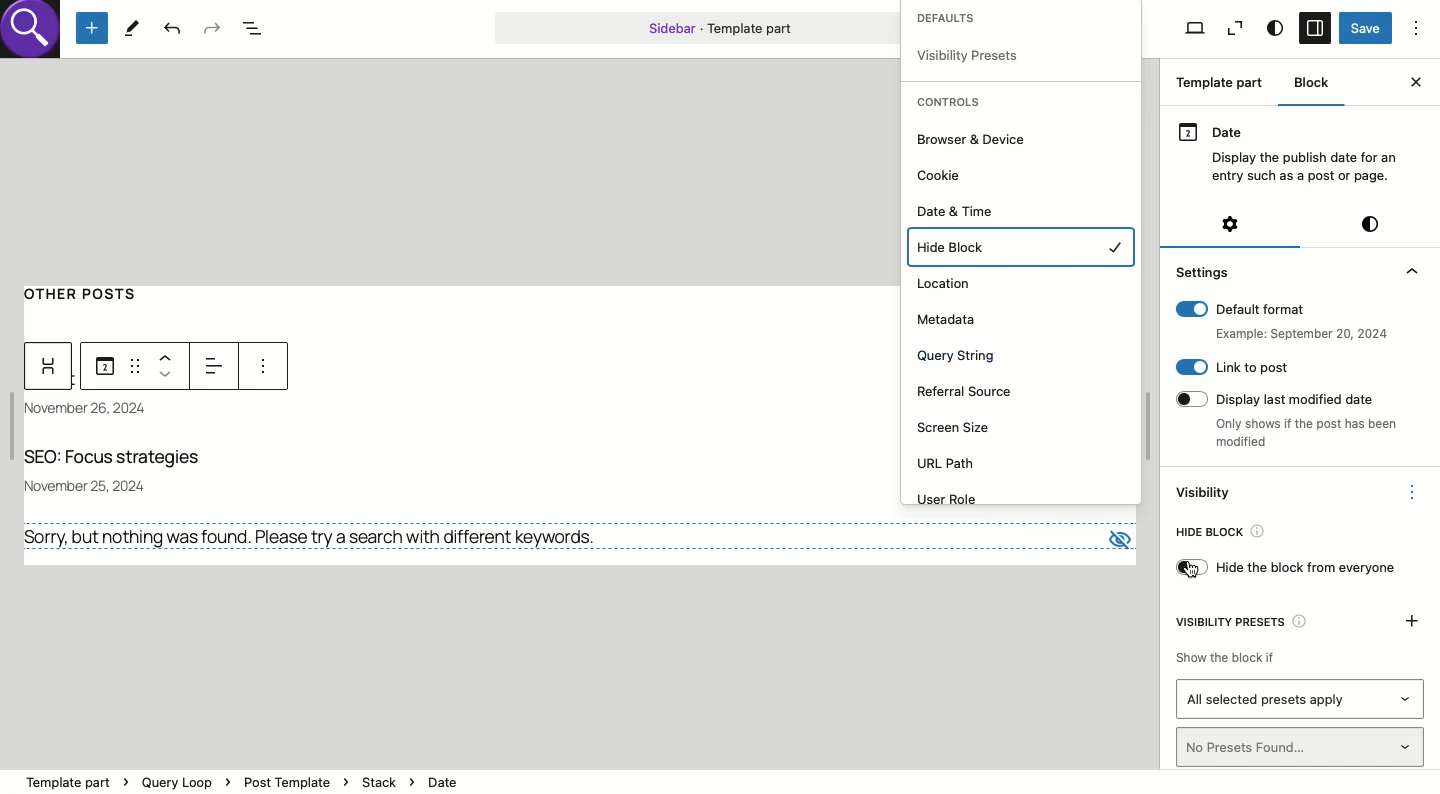 Image resolution: width=1440 pixels, height=794 pixels. What do you see at coordinates (949, 465) in the screenshot?
I see `URL path` at bounding box center [949, 465].